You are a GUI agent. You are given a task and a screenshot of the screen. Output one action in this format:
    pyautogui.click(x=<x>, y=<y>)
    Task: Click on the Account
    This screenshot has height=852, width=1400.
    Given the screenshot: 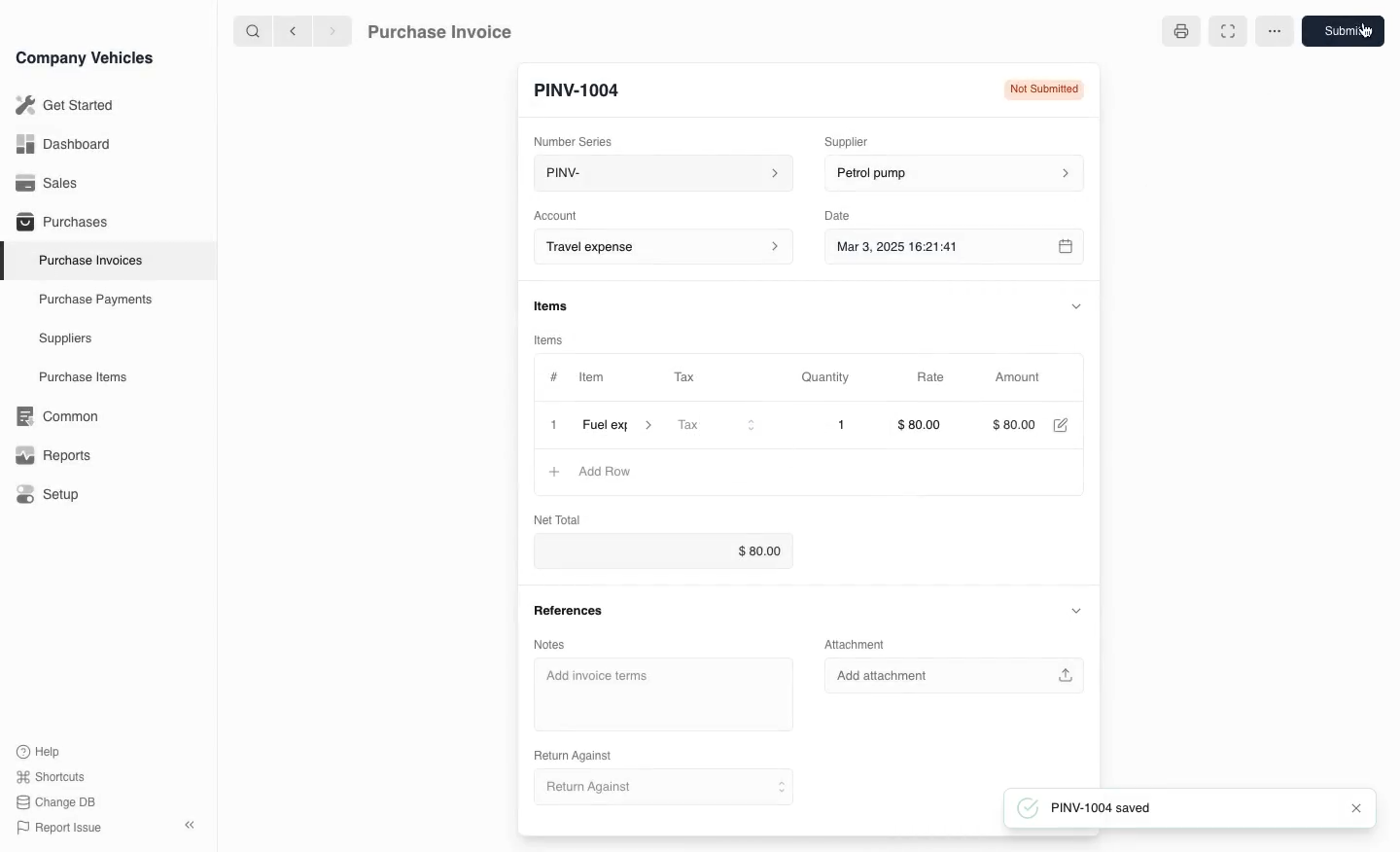 What is the action you would take?
    pyautogui.click(x=556, y=214)
    